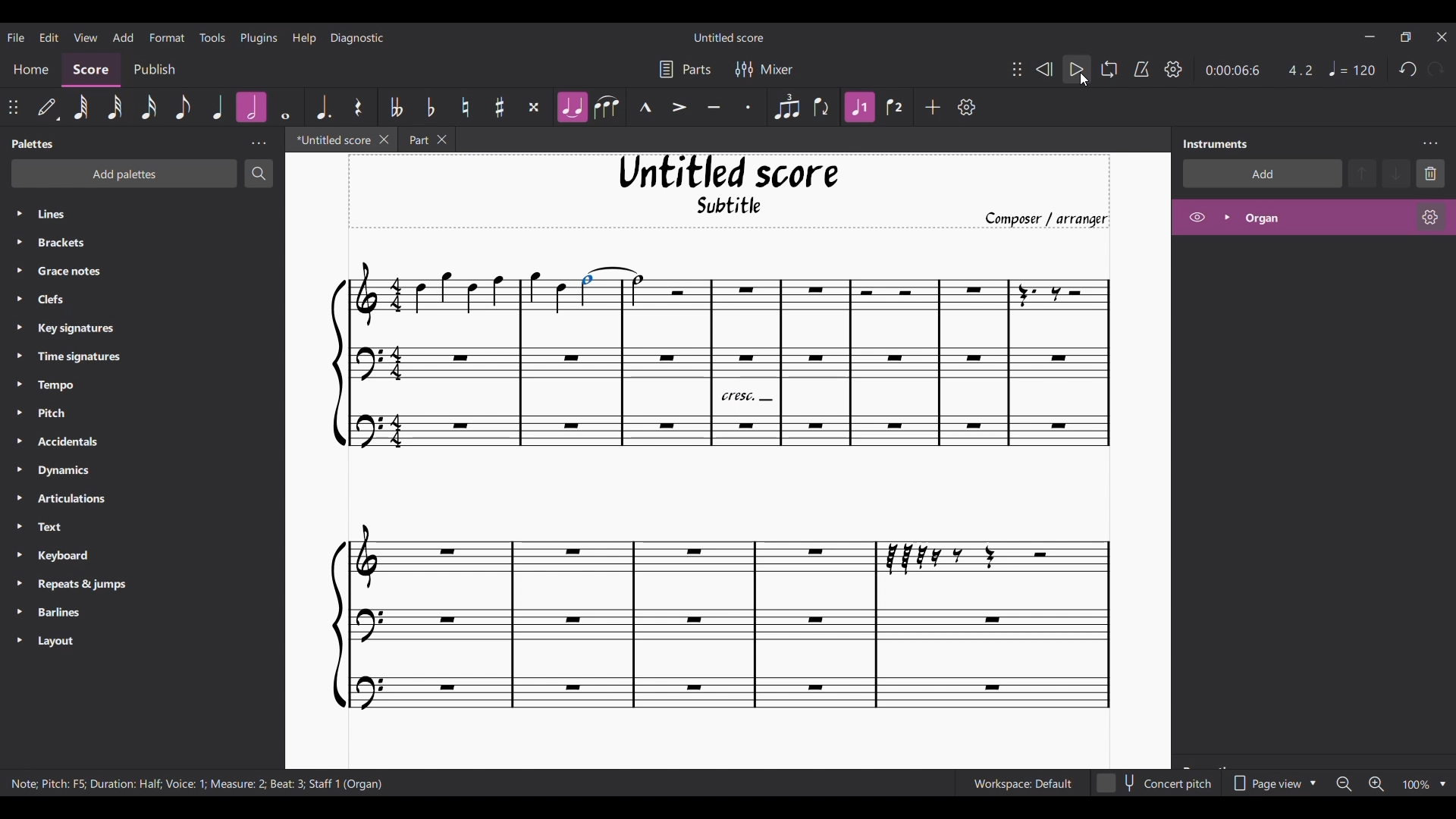  I want to click on Default, so click(49, 108).